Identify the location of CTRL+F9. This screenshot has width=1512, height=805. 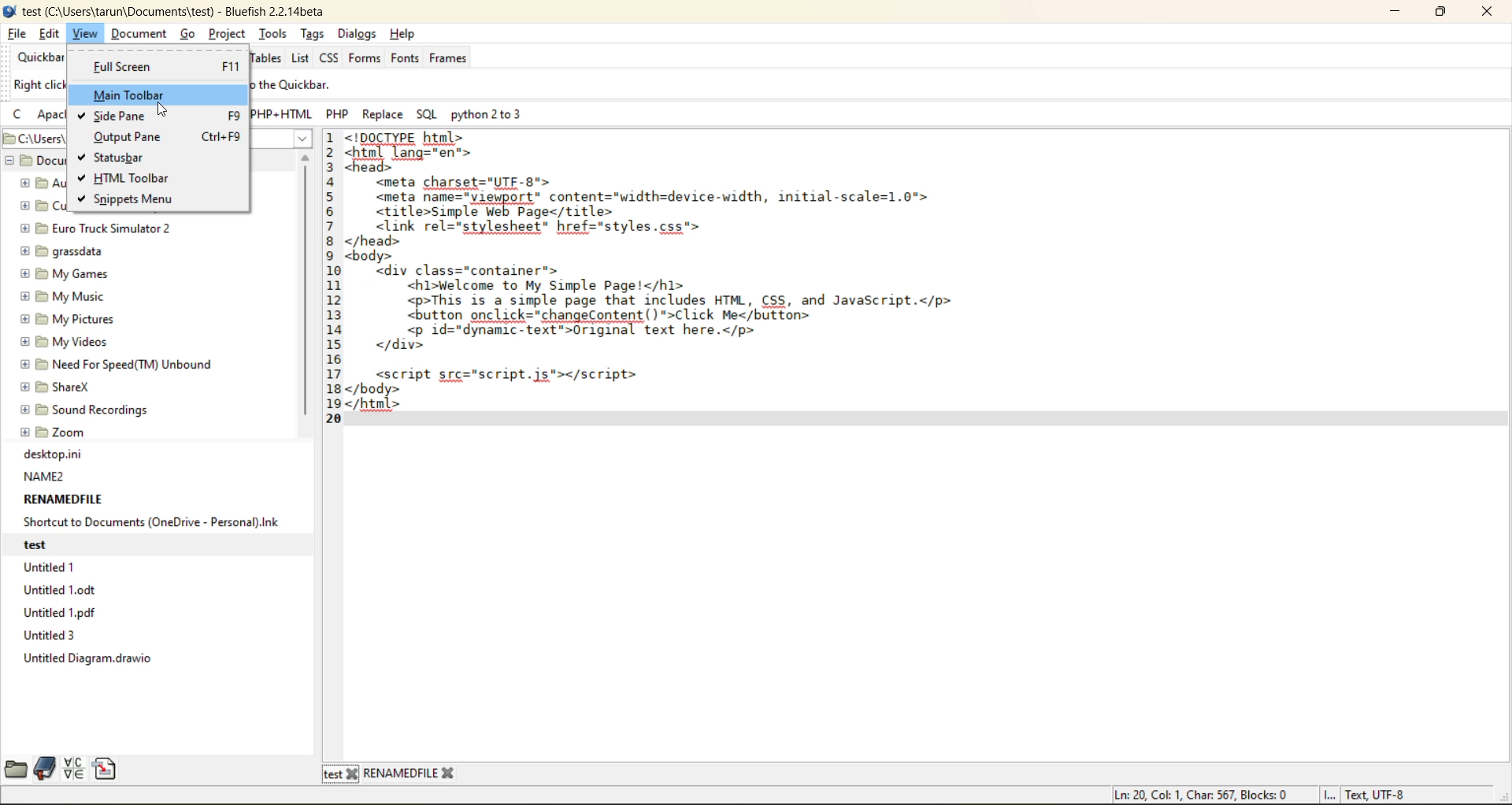
(222, 135).